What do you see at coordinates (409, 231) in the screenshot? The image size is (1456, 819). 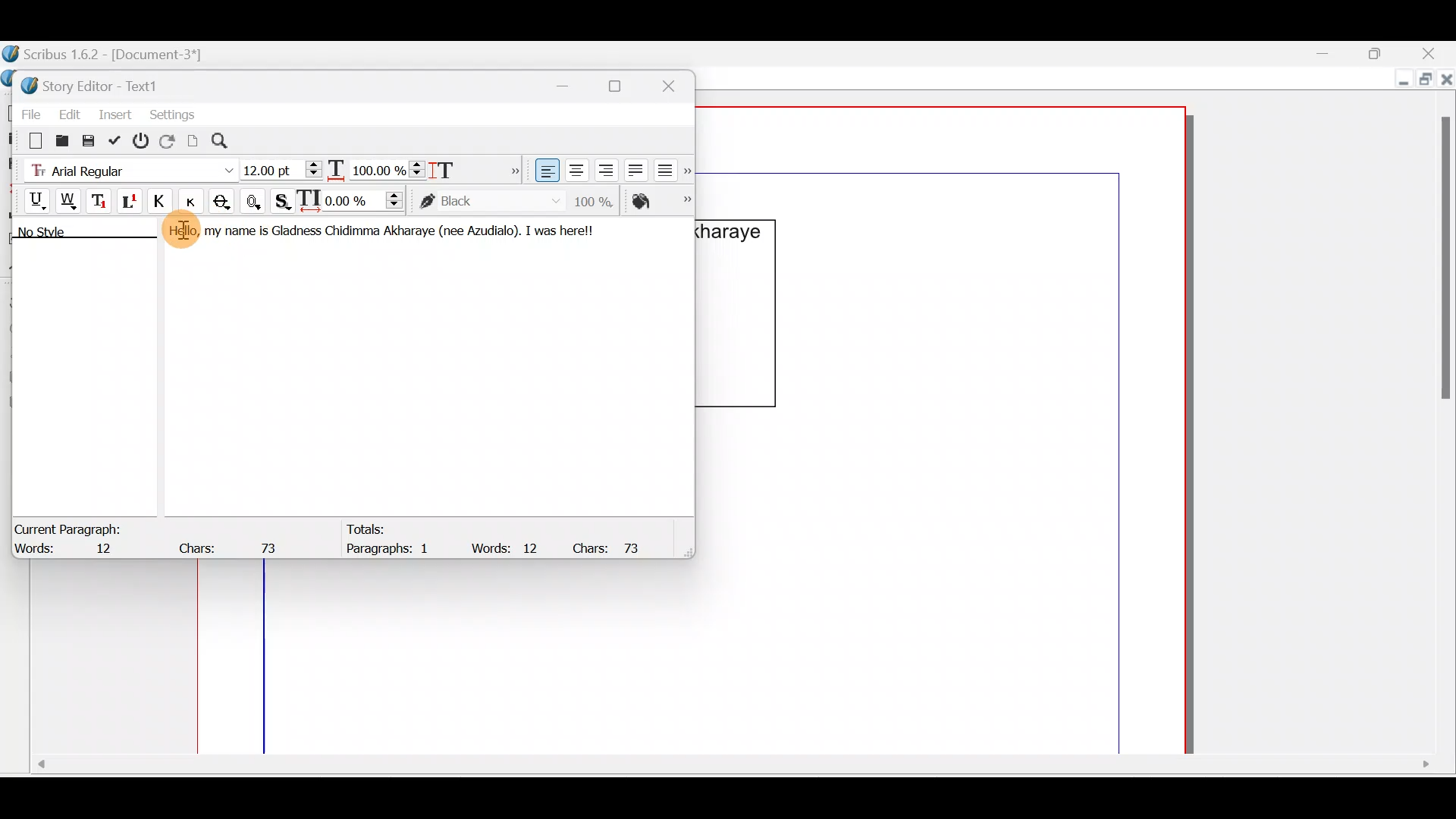 I see `Akharaye` at bounding box center [409, 231].